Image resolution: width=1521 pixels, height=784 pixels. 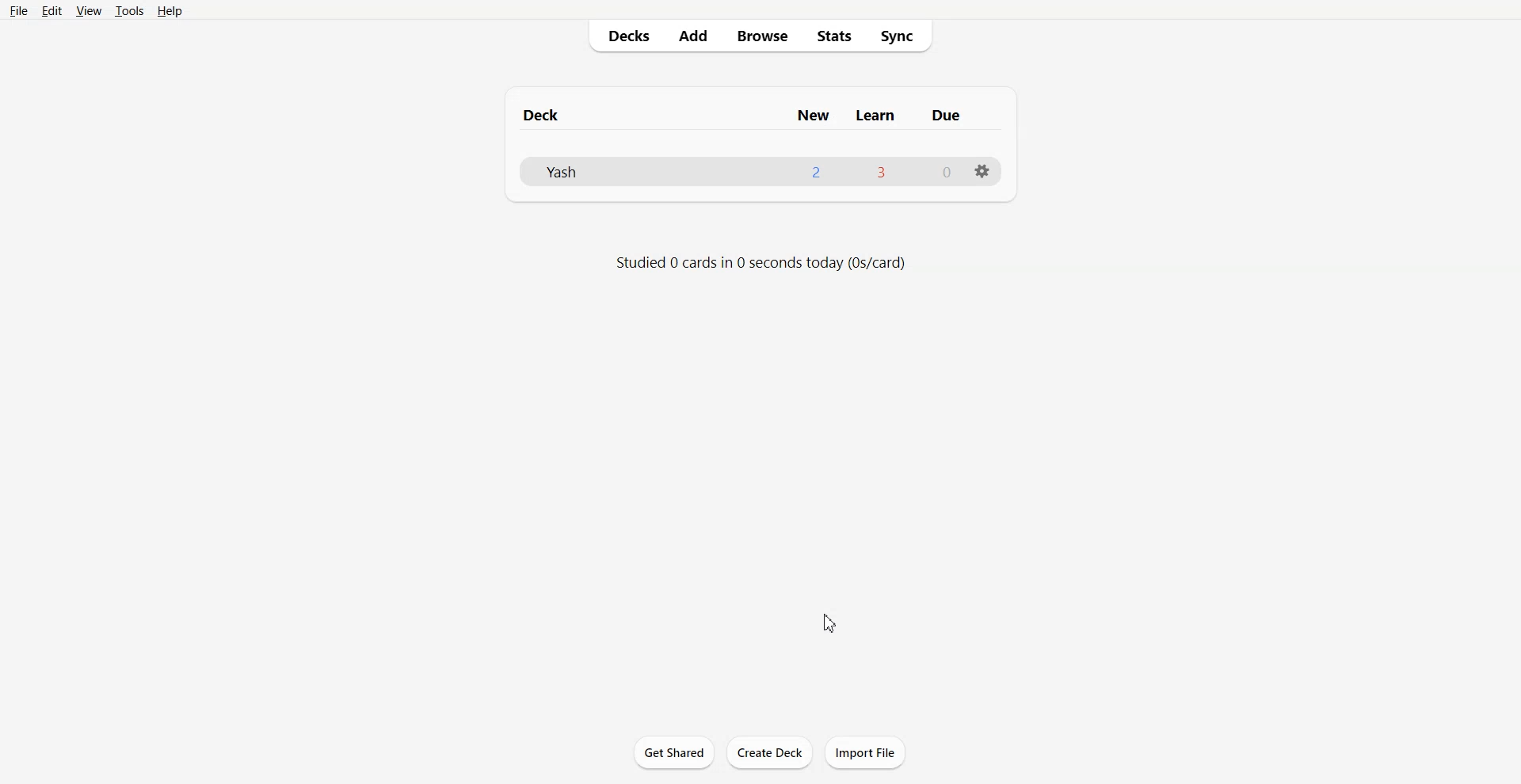 I want to click on Deck, so click(x=544, y=115).